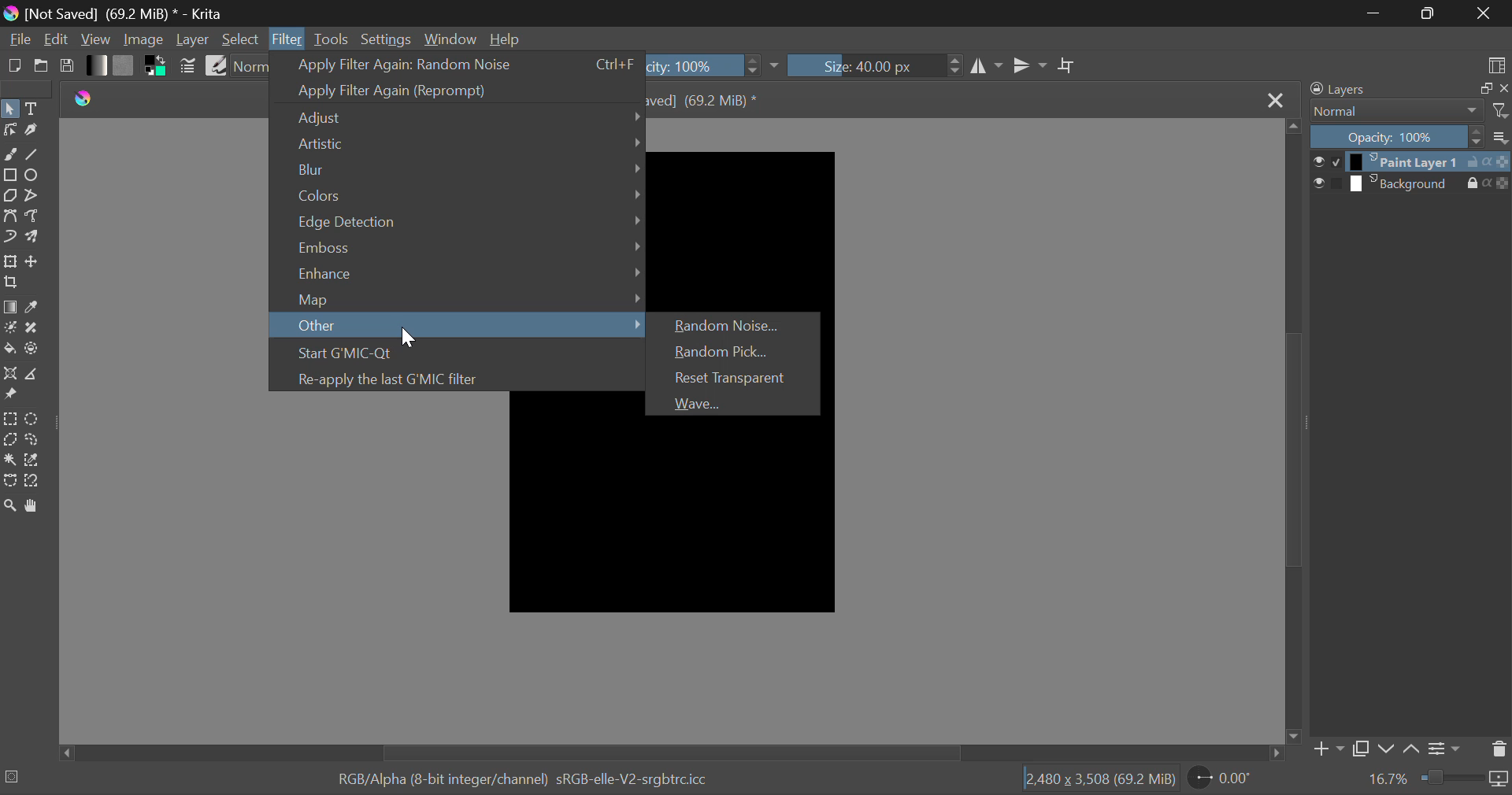 Image resolution: width=1512 pixels, height=795 pixels. Describe the element at coordinates (1335, 183) in the screenshot. I see `checkbox` at that location.